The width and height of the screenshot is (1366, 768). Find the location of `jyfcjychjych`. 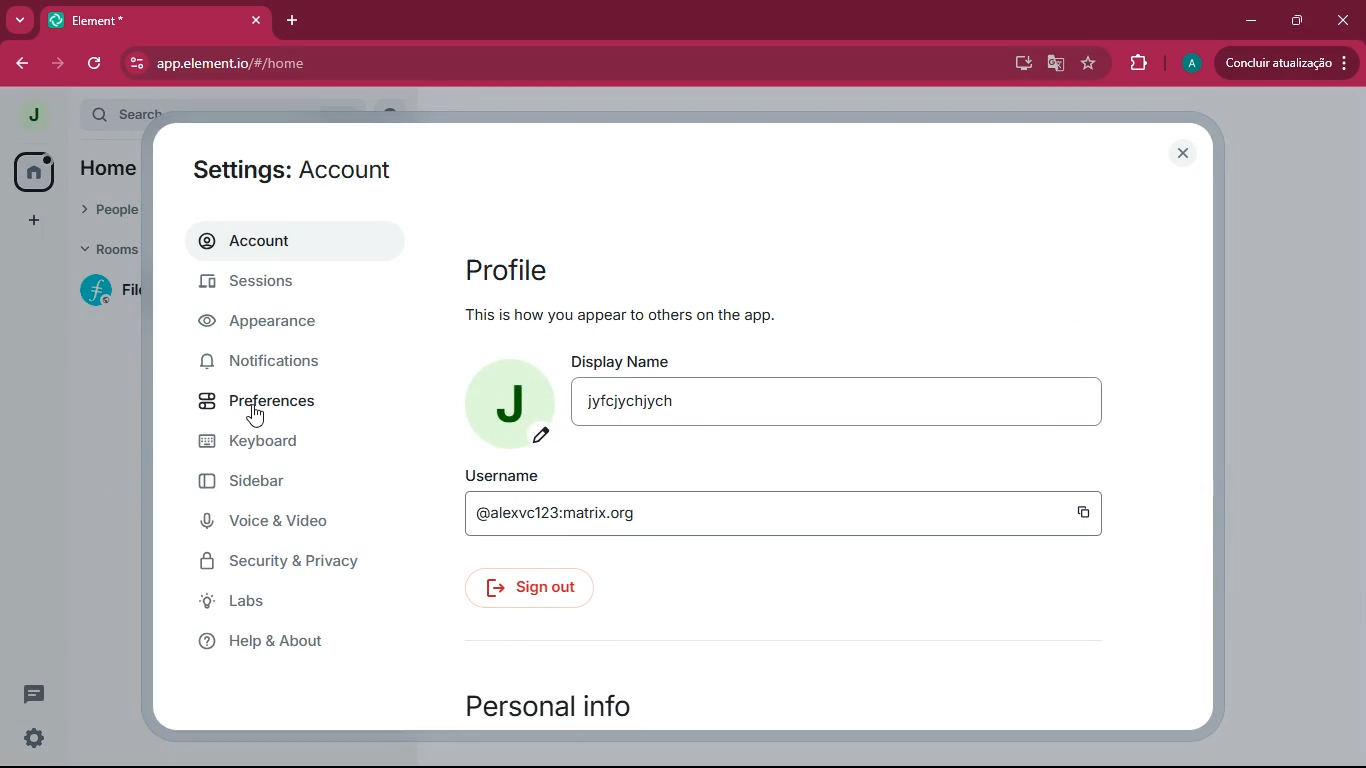

jyfcjychjych is located at coordinates (837, 401).